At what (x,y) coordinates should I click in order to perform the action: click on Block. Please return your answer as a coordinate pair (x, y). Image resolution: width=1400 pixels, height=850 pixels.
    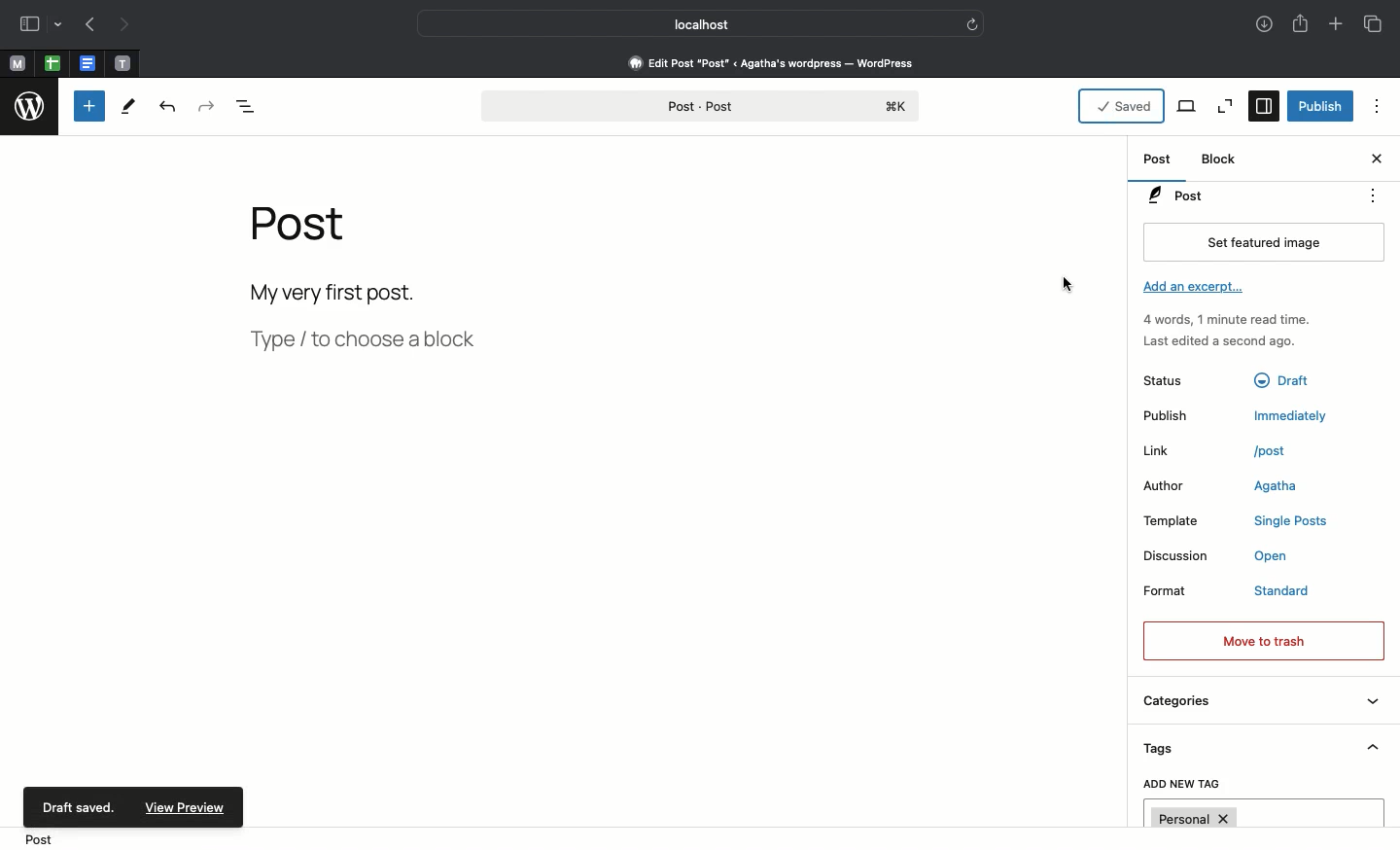
    Looking at the image, I should click on (1224, 159).